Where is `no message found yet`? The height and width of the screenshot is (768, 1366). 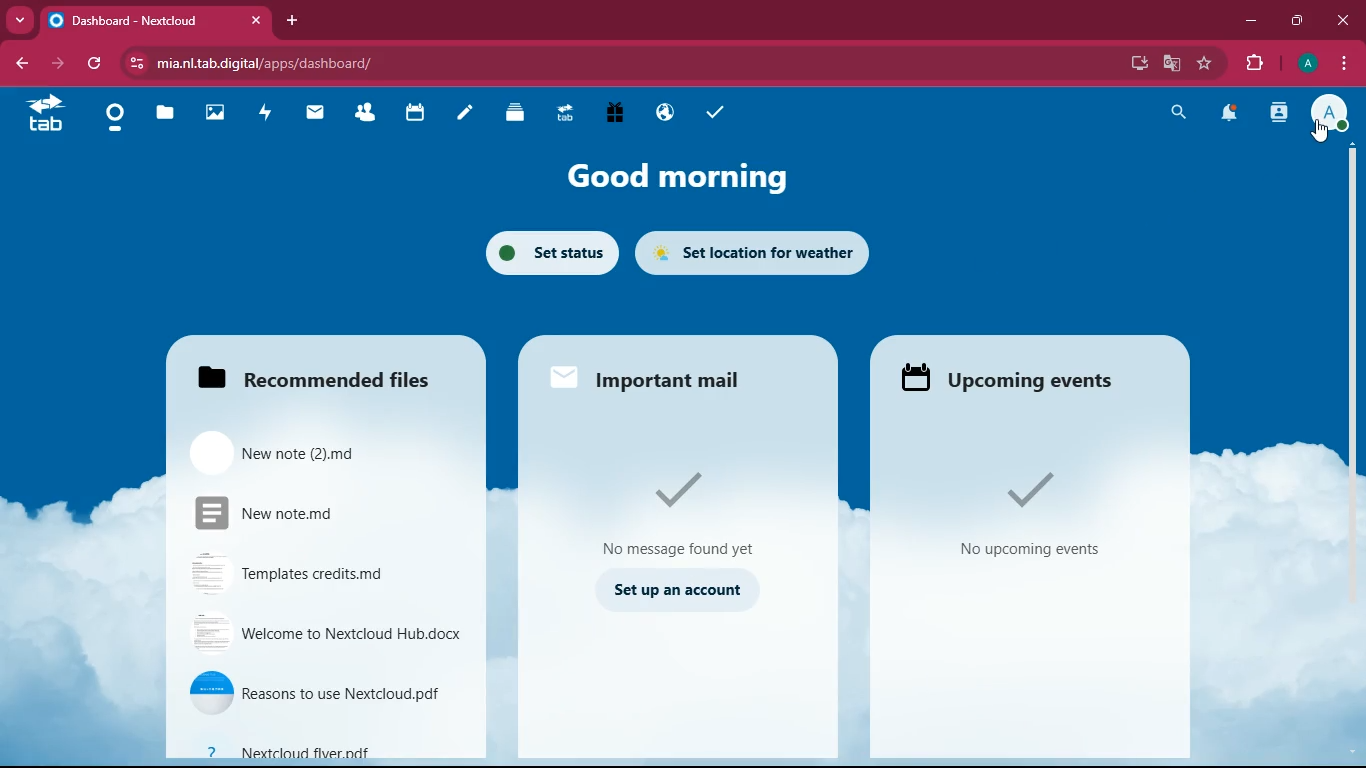 no message found yet is located at coordinates (687, 510).